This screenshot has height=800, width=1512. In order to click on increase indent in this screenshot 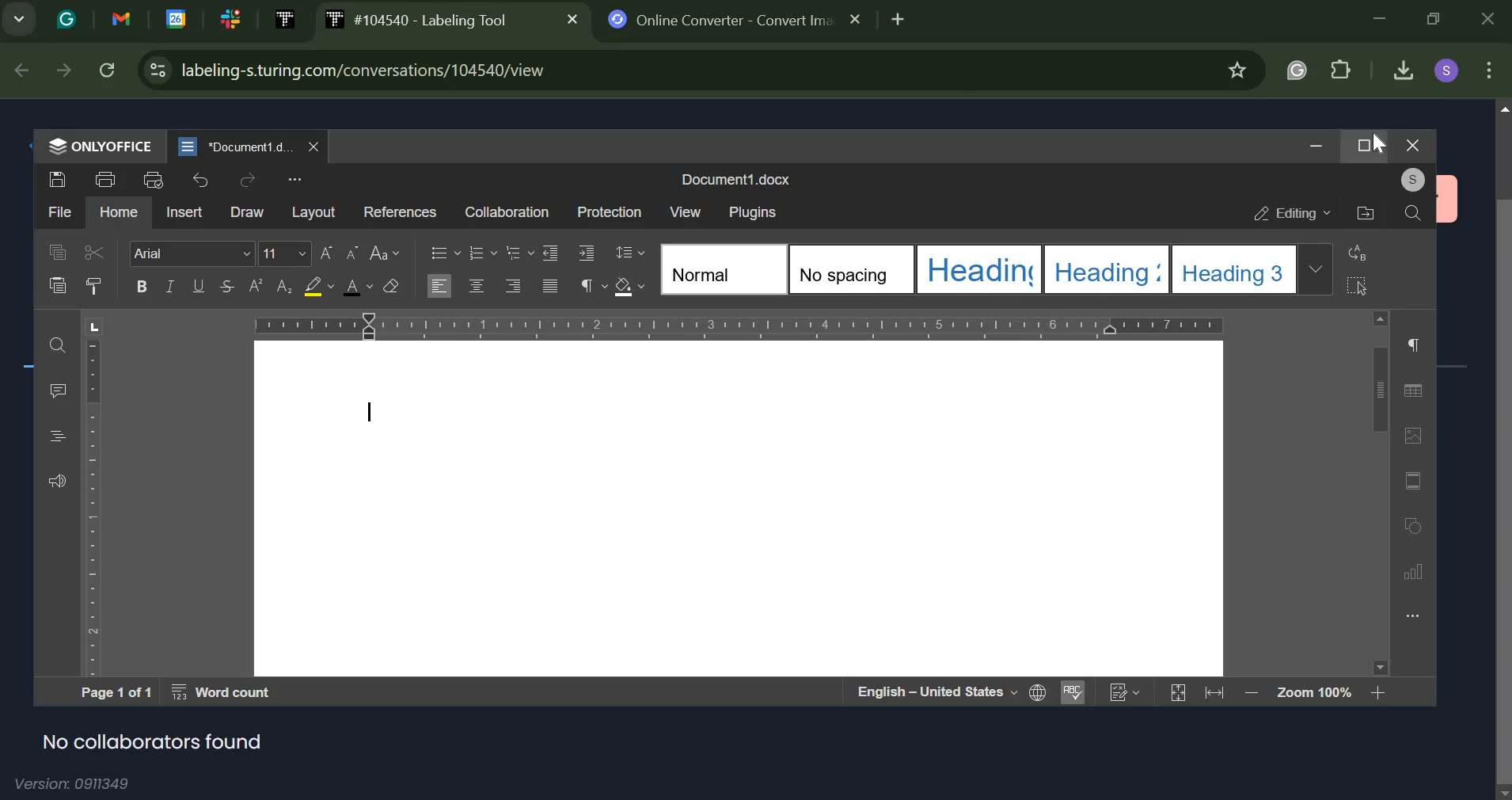, I will do `click(588, 253)`.